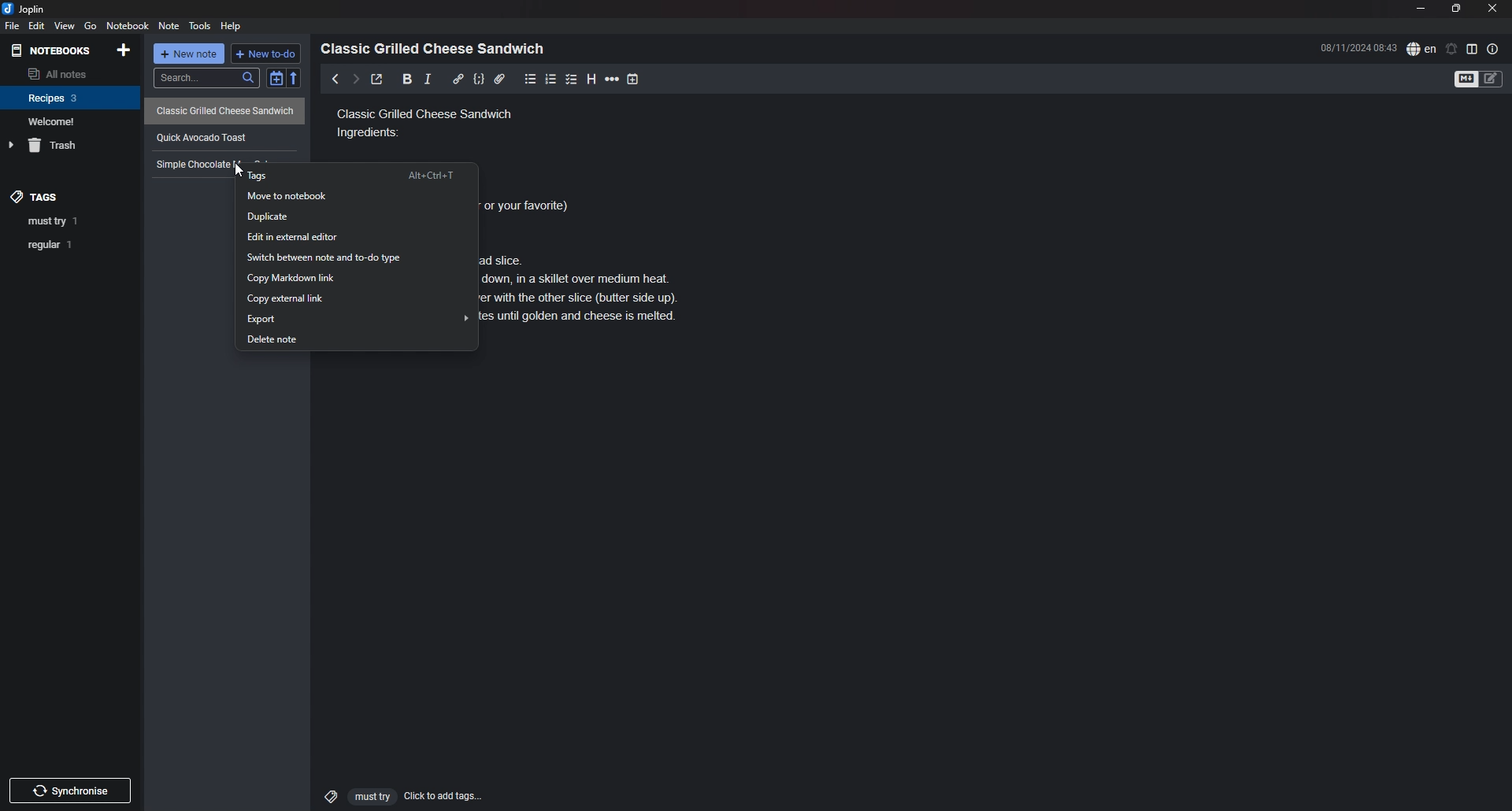 The height and width of the screenshot is (811, 1512). I want to click on Classic Grilled Cheese Sandwich, so click(226, 109).